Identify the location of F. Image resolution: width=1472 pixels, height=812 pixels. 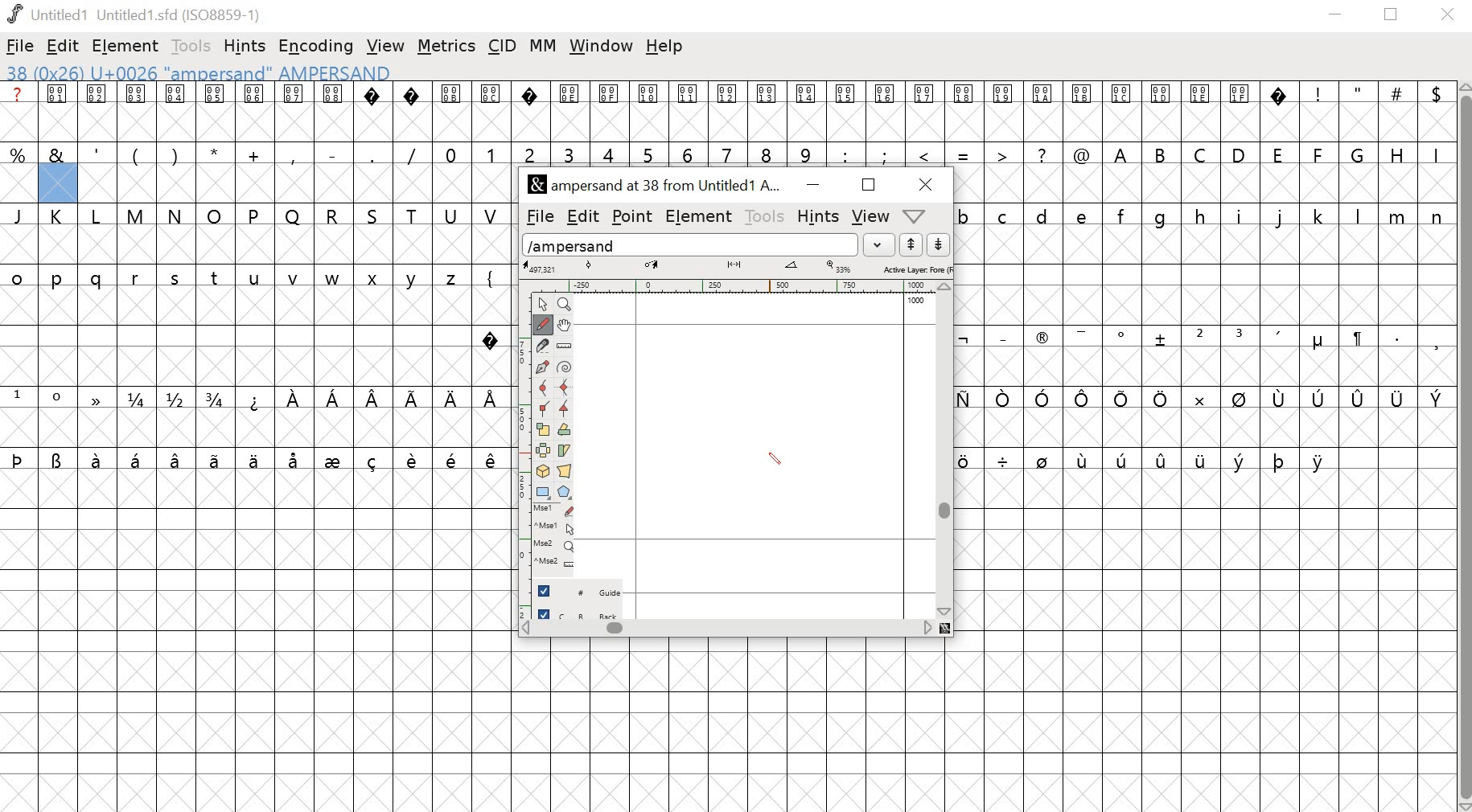
(1320, 154).